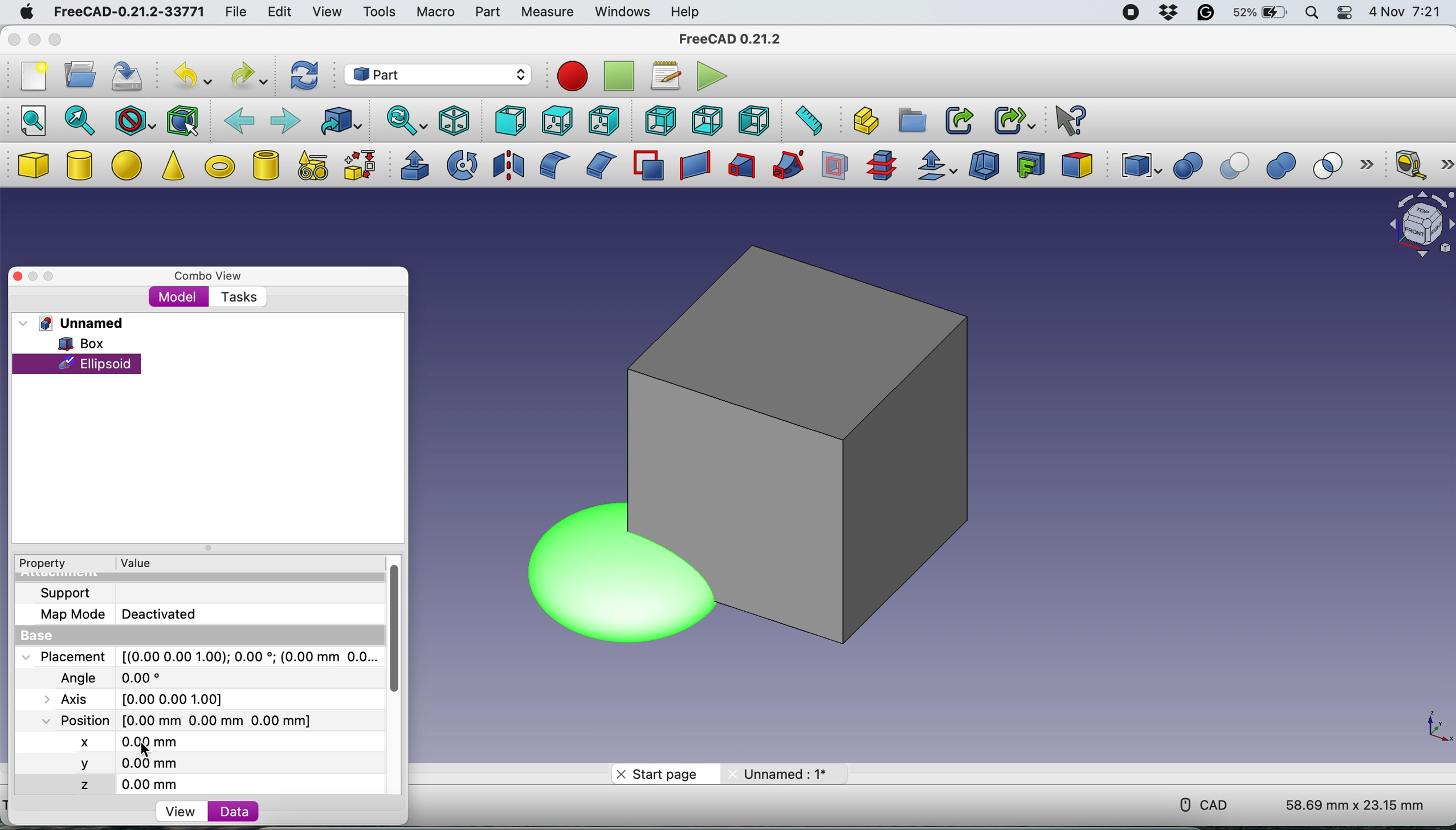 Image resolution: width=1456 pixels, height=830 pixels. I want to click on part, so click(487, 14).